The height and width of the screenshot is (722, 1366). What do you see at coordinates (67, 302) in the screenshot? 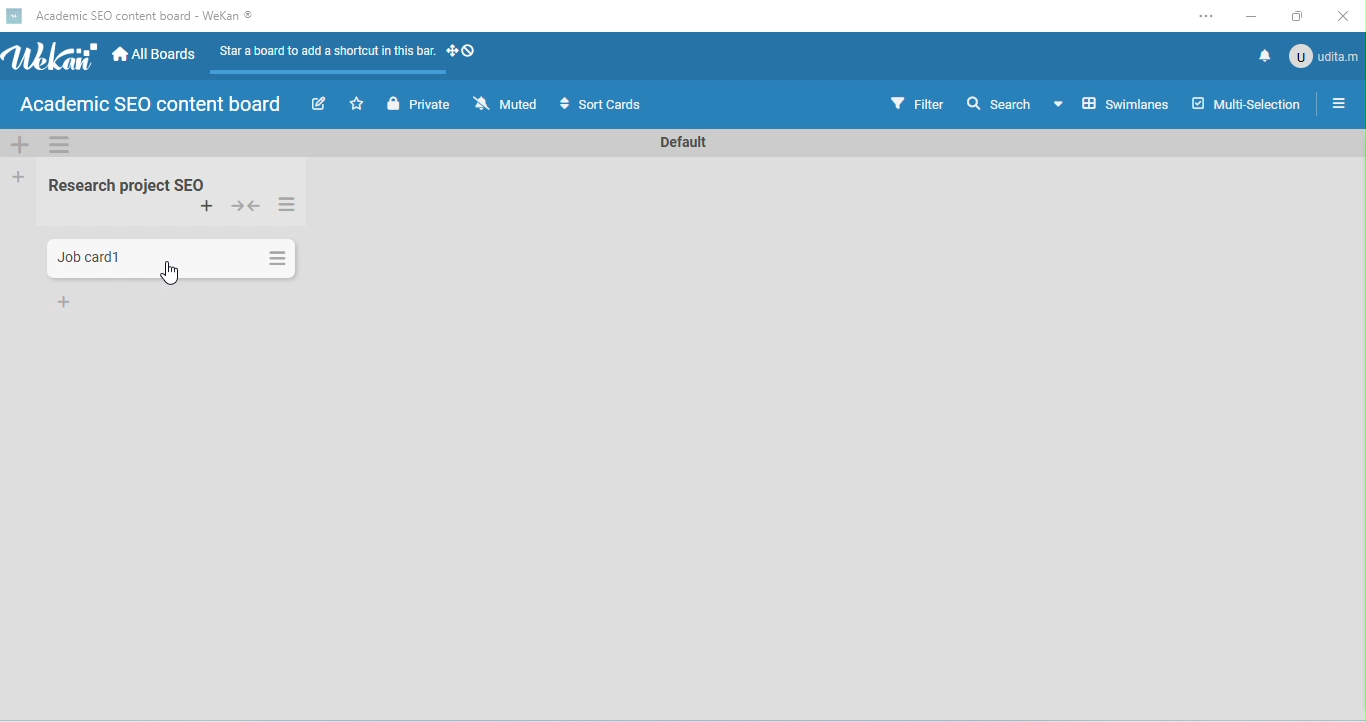
I see `add card to bottom` at bounding box center [67, 302].